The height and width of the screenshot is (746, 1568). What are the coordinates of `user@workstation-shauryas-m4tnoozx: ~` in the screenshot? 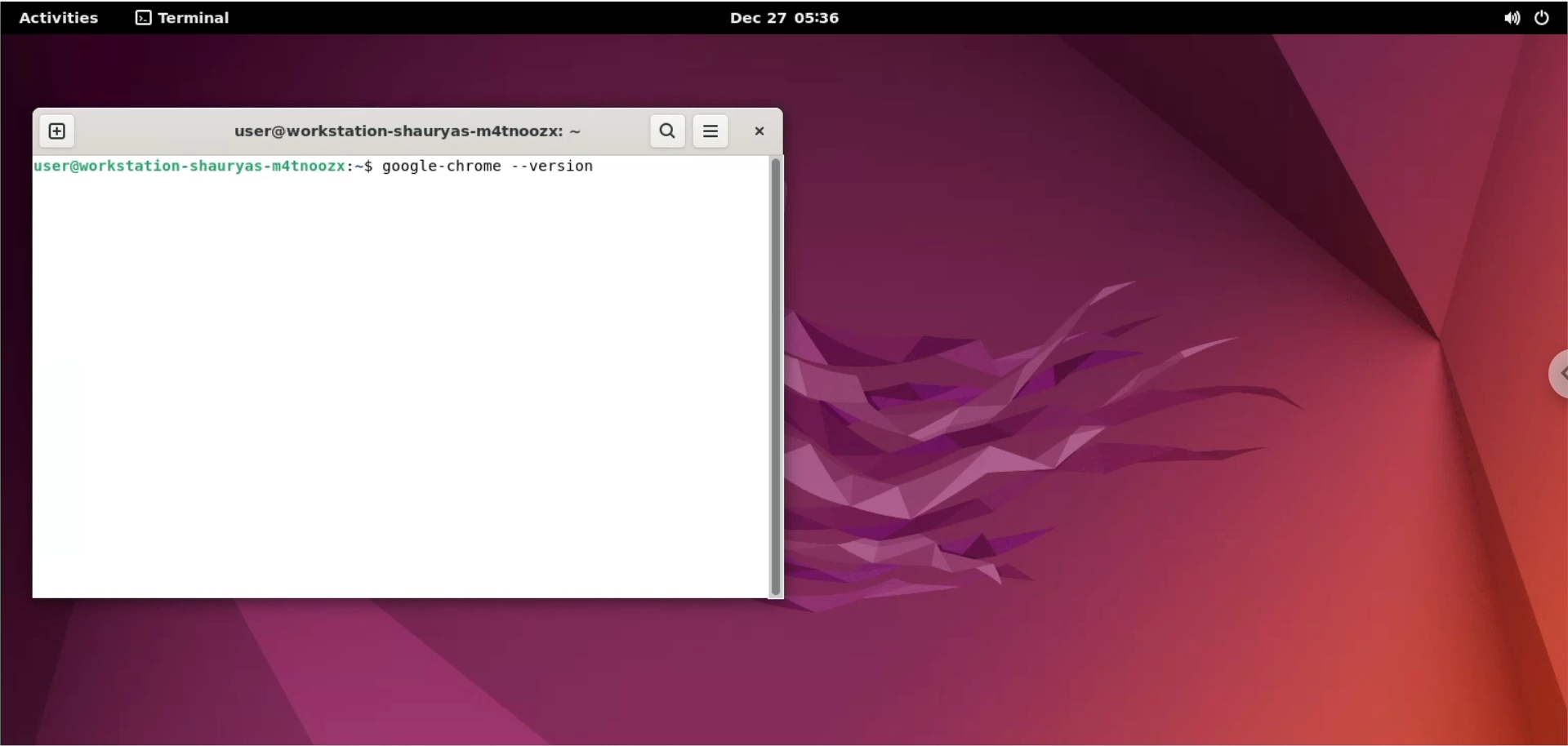 It's located at (396, 130).